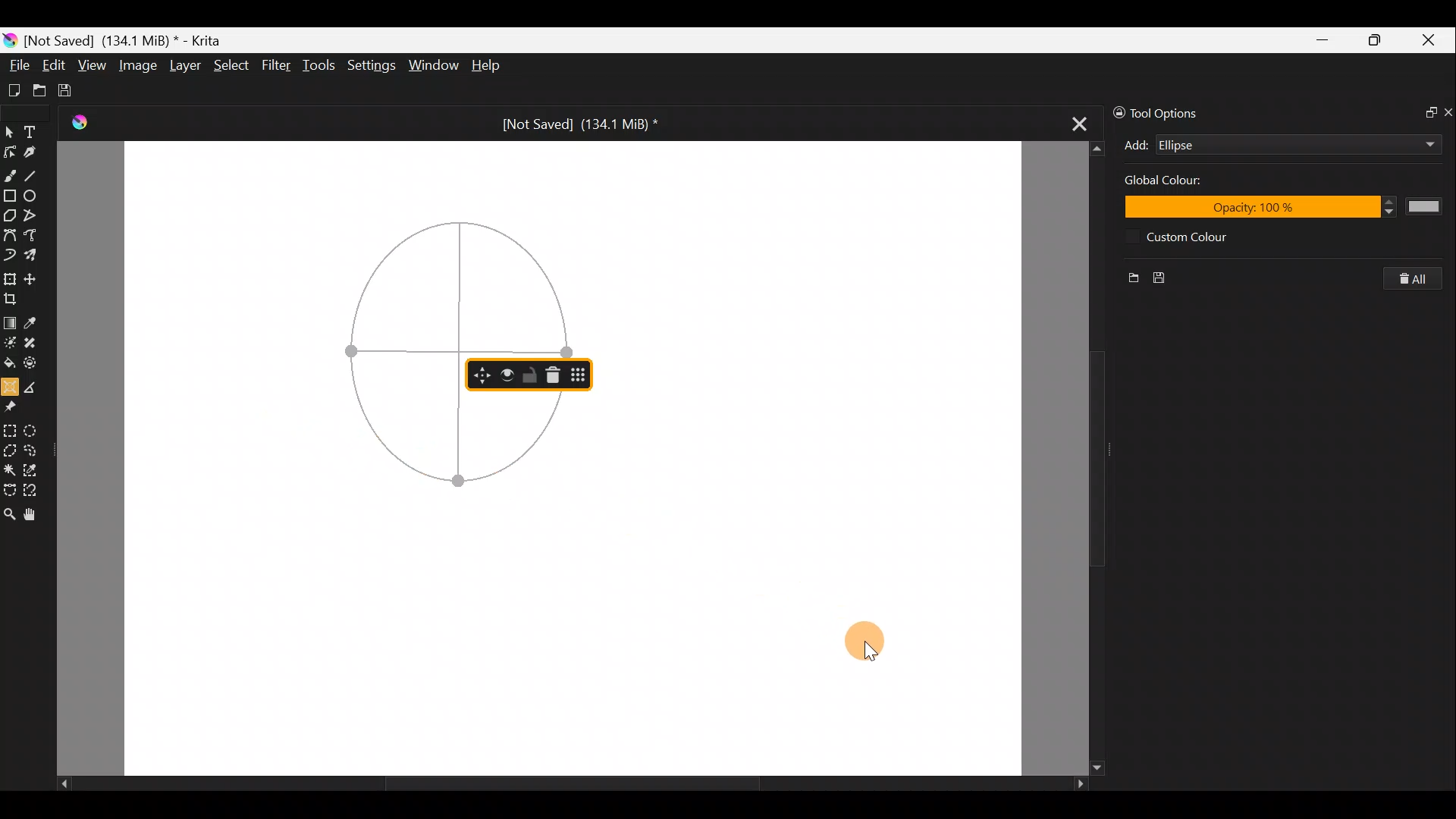  Describe the element at coordinates (36, 196) in the screenshot. I see `Ellipse` at that location.